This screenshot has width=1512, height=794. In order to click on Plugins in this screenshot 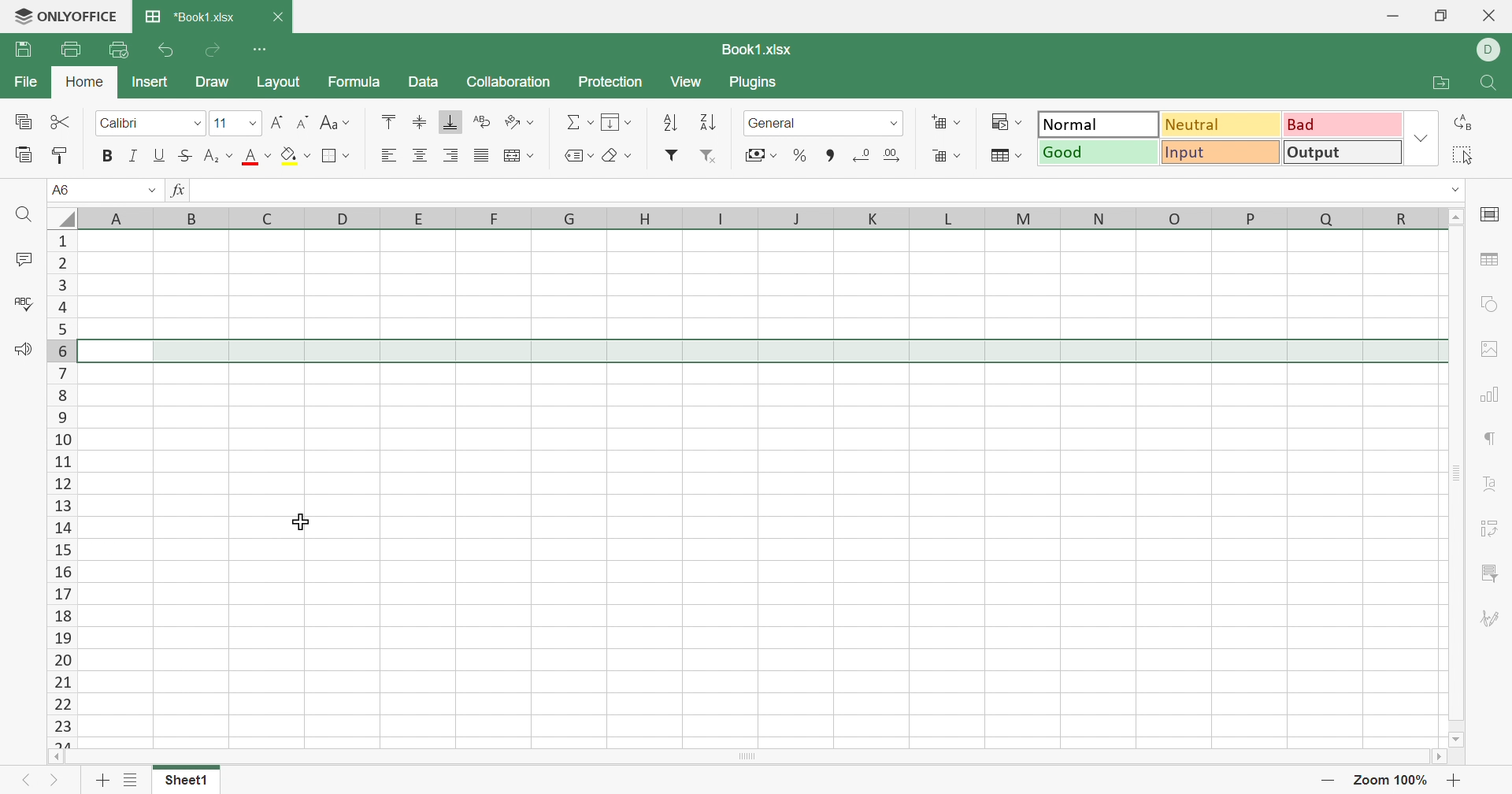, I will do `click(752, 81)`.